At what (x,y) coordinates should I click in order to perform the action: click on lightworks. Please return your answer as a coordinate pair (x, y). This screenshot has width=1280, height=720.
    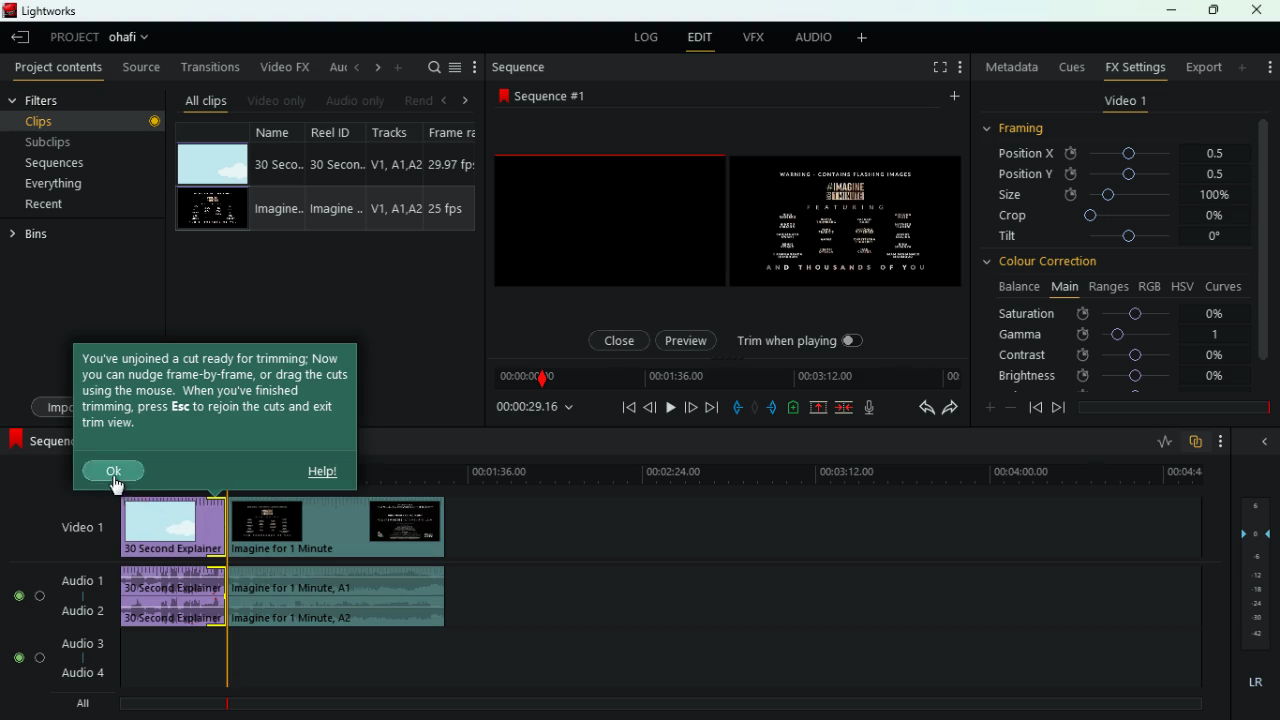
    Looking at the image, I should click on (42, 10).